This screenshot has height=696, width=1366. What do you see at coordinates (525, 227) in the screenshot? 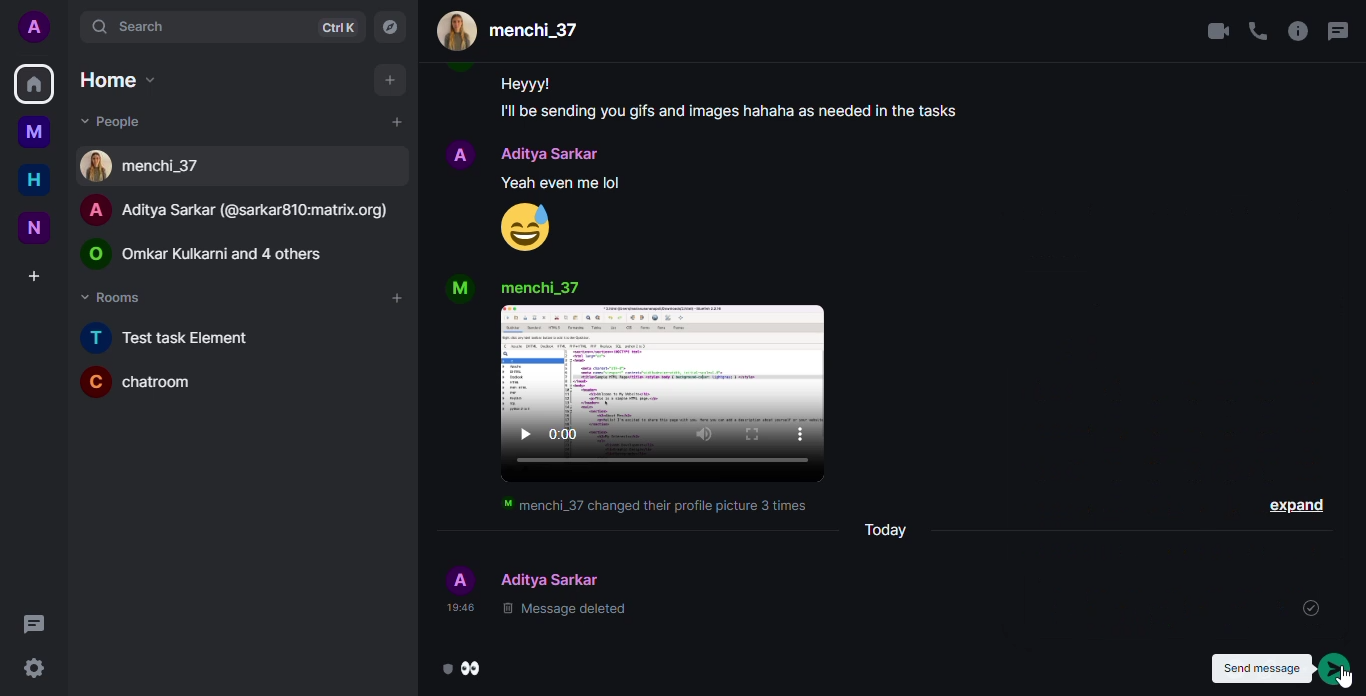
I see `emoji` at bounding box center [525, 227].